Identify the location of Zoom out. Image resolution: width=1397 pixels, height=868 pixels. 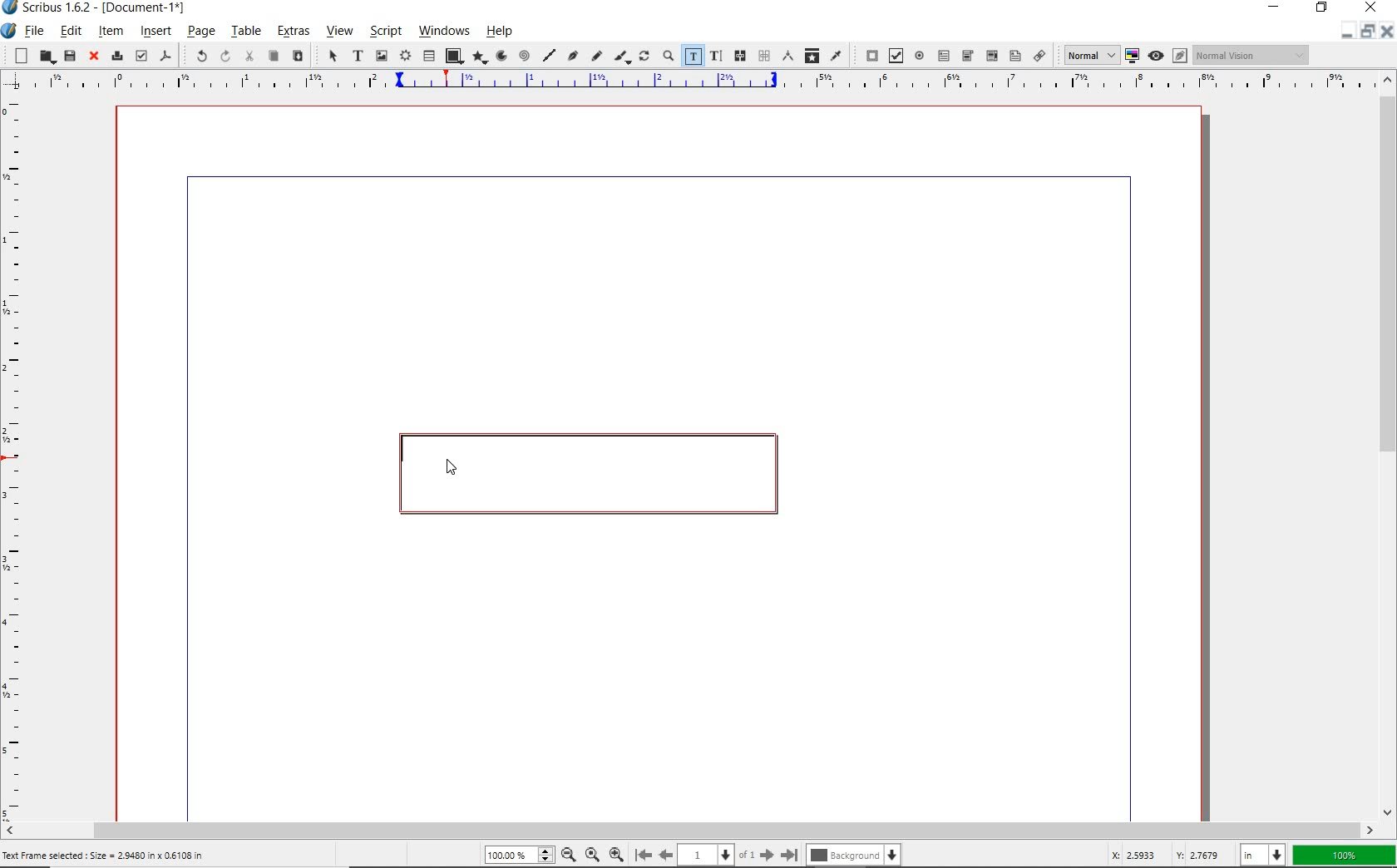
(565, 855).